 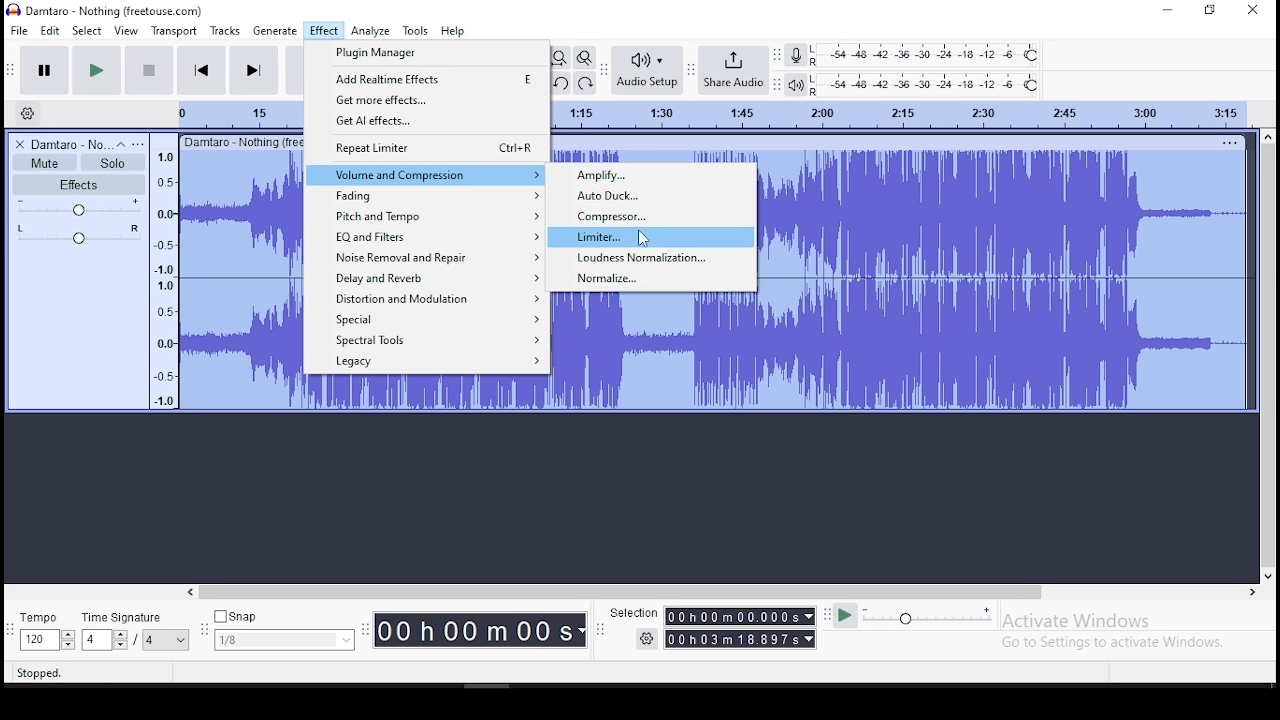 What do you see at coordinates (151, 70) in the screenshot?
I see `stop` at bounding box center [151, 70].